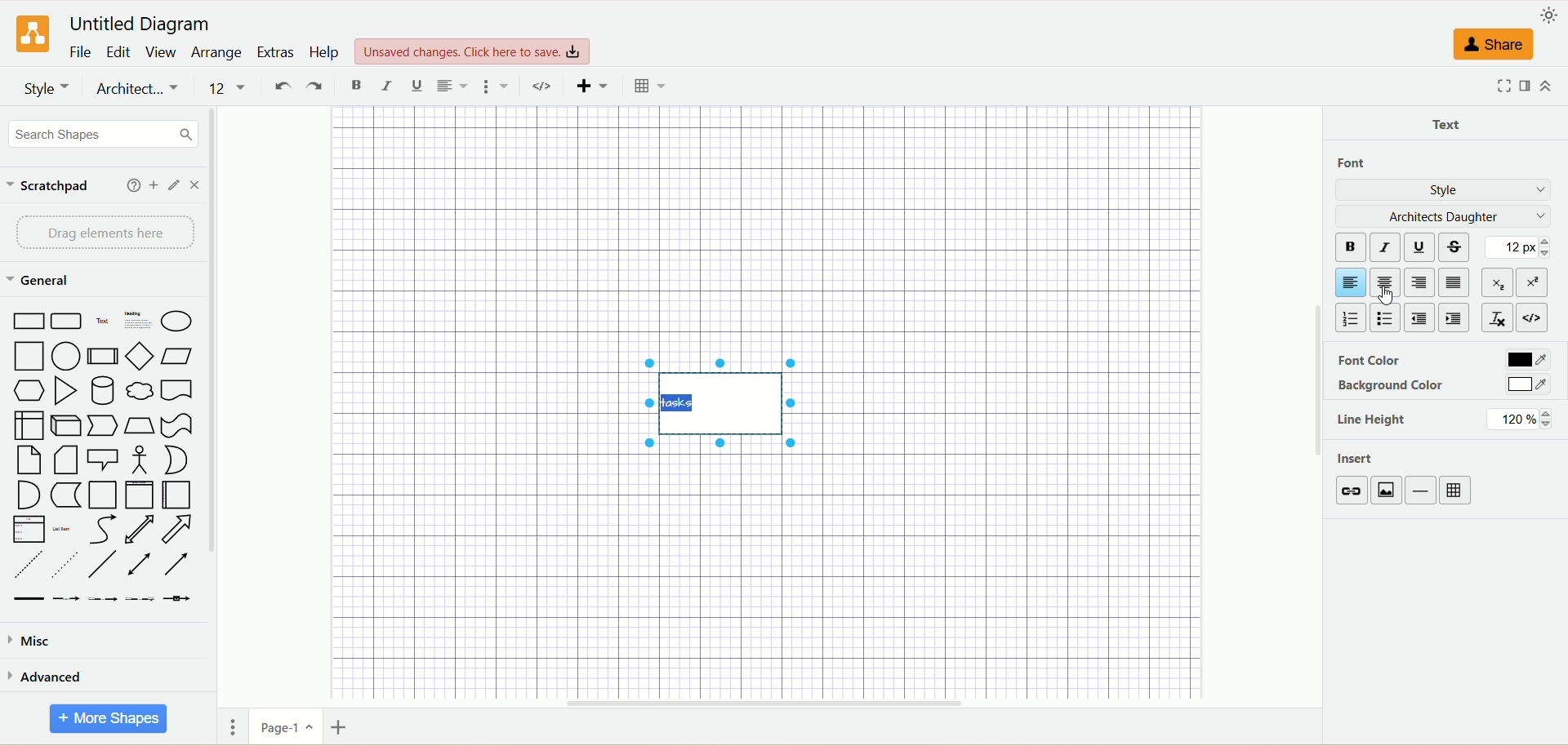 This screenshot has width=1568, height=746. Describe the element at coordinates (29, 357) in the screenshot. I see `Square` at that location.